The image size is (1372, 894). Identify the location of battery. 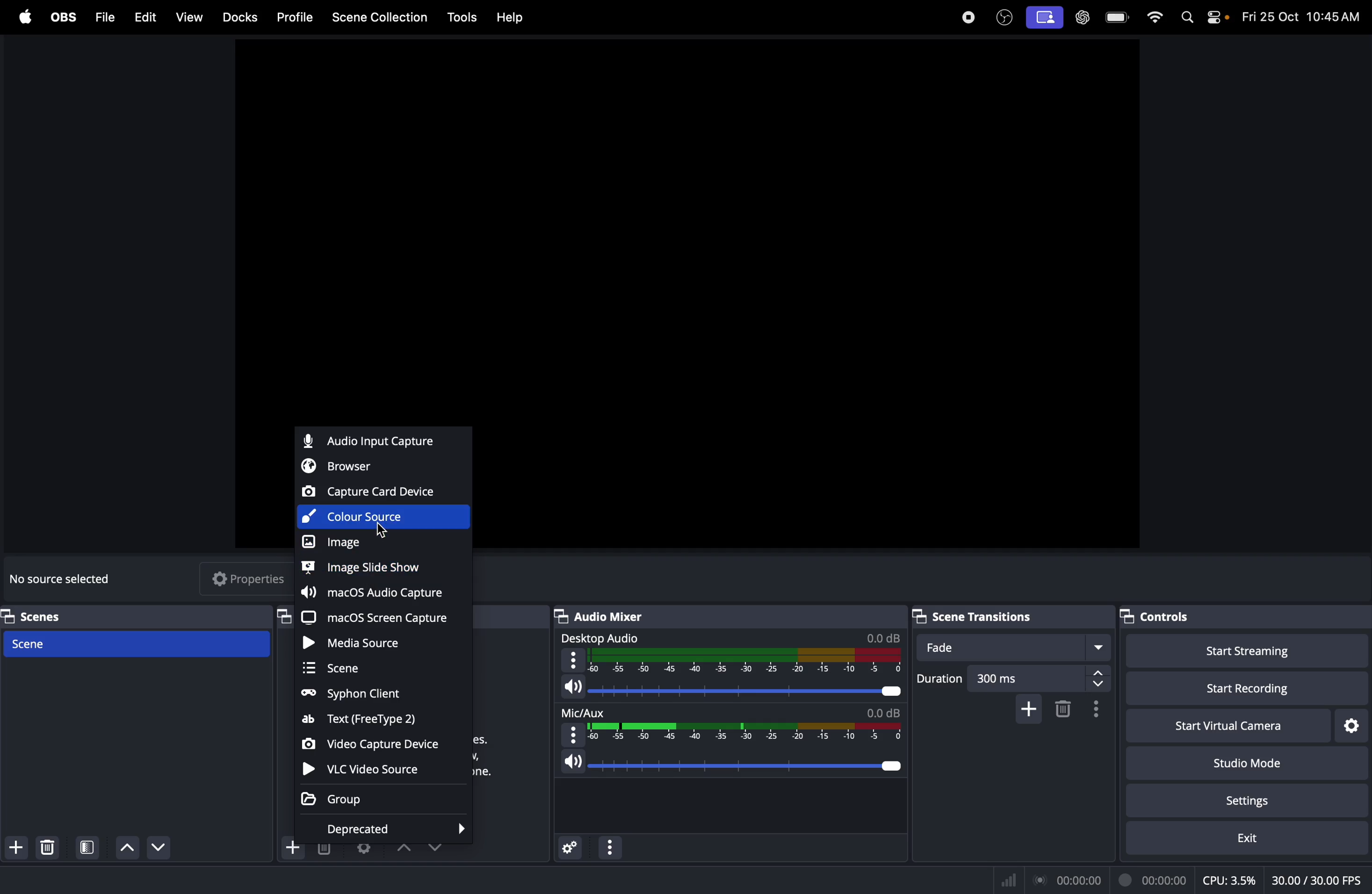
(1120, 17).